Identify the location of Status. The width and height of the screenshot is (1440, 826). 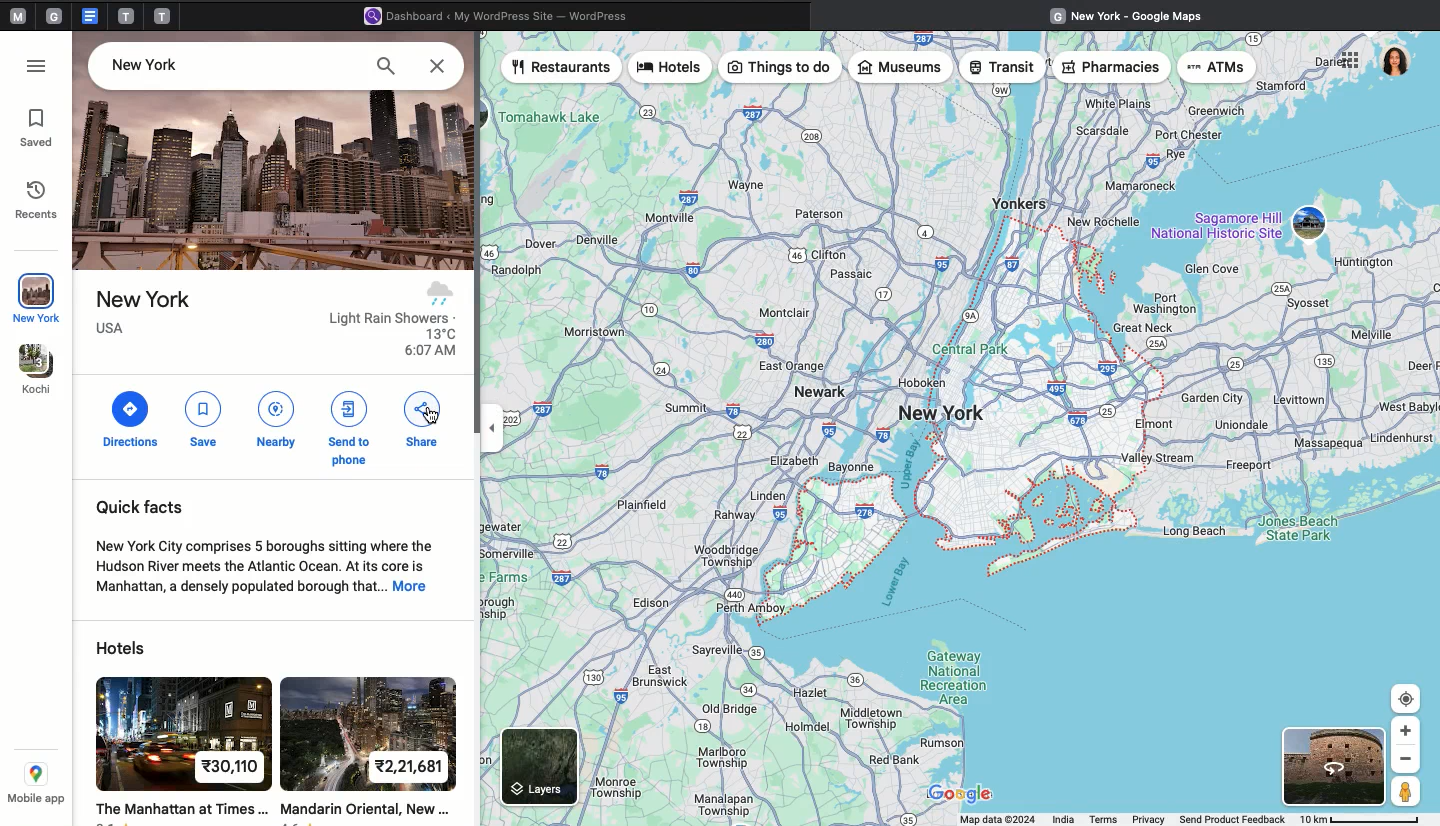
(960, 819).